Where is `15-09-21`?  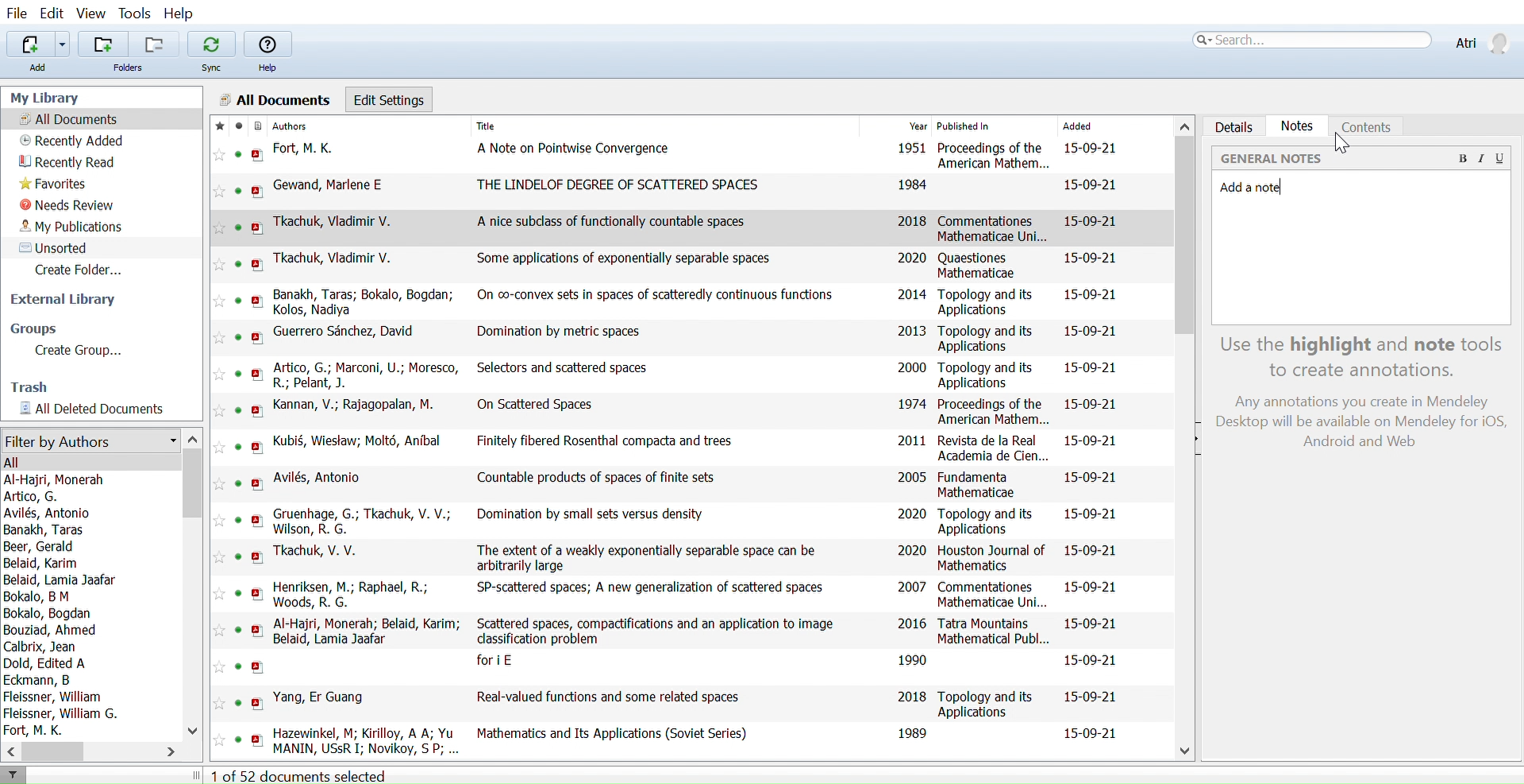
15-09-21 is located at coordinates (1090, 367).